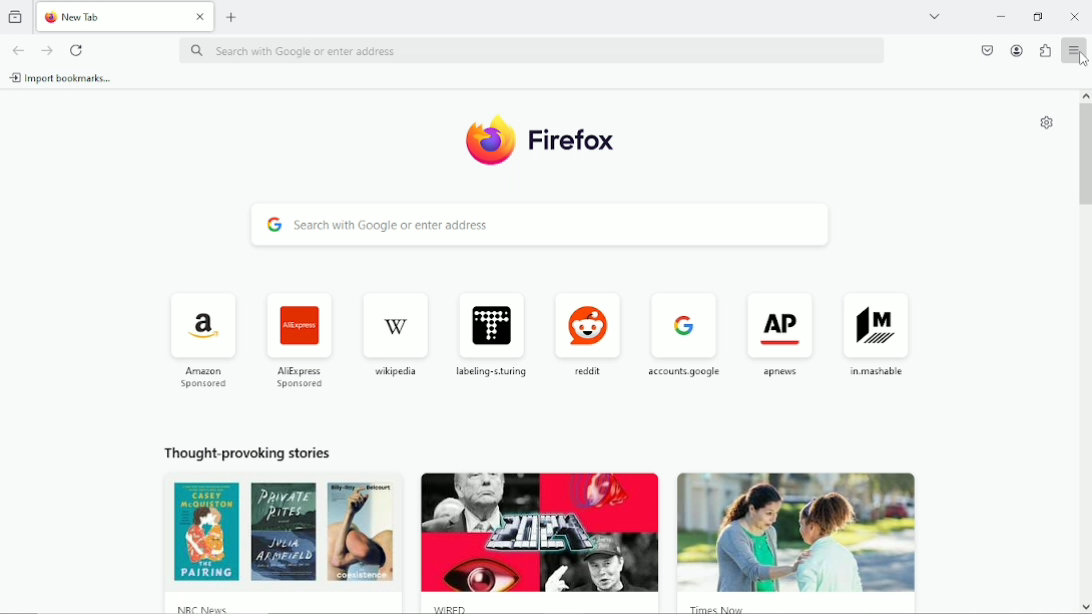 The height and width of the screenshot is (614, 1092). What do you see at coordinates (684, 332) in the screenshot?
I see `accounts google` at bounding box center [684, 332].